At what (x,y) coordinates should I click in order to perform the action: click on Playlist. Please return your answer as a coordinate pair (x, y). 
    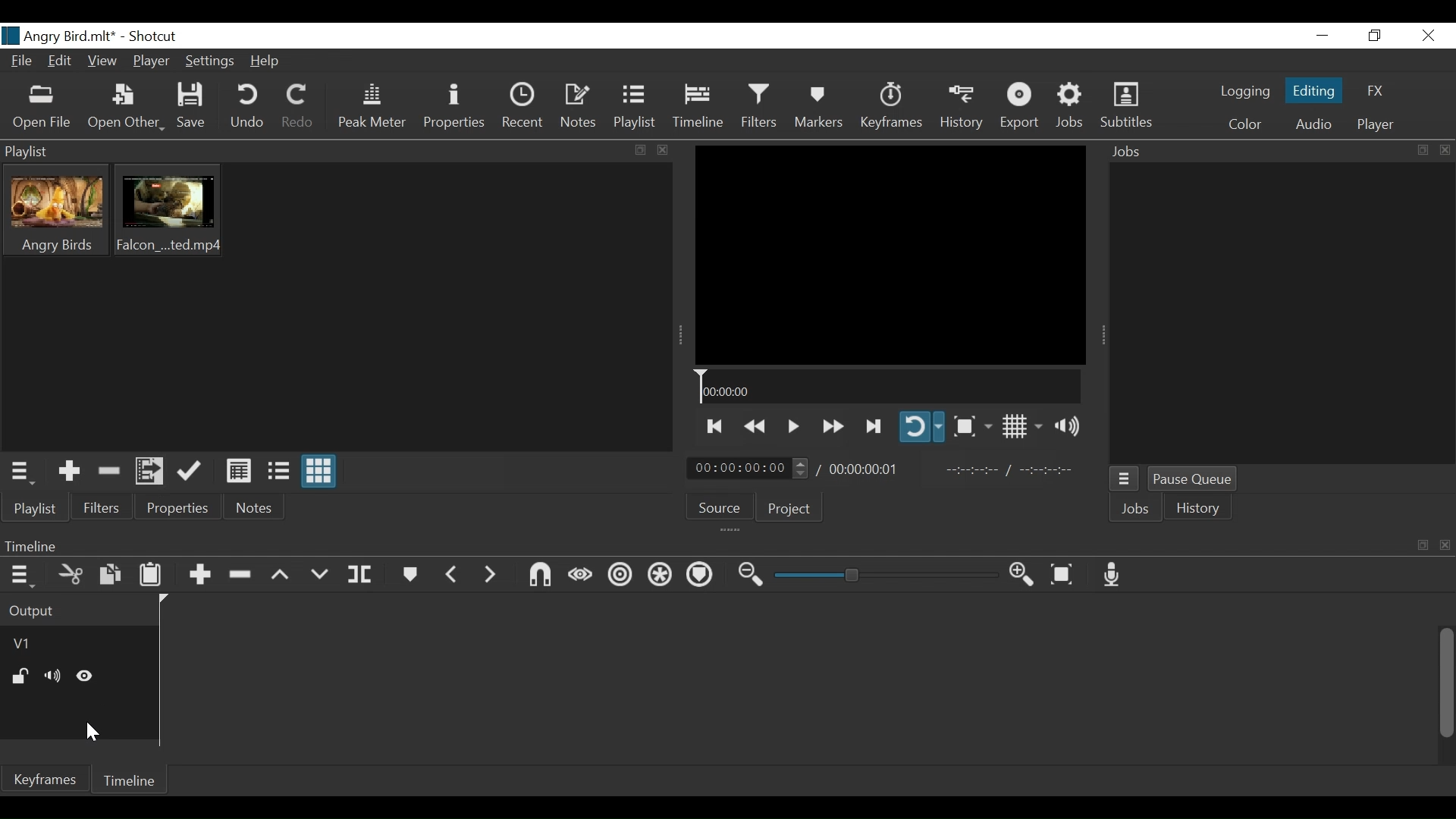
    Looking at the image, I should click on (337, 151).